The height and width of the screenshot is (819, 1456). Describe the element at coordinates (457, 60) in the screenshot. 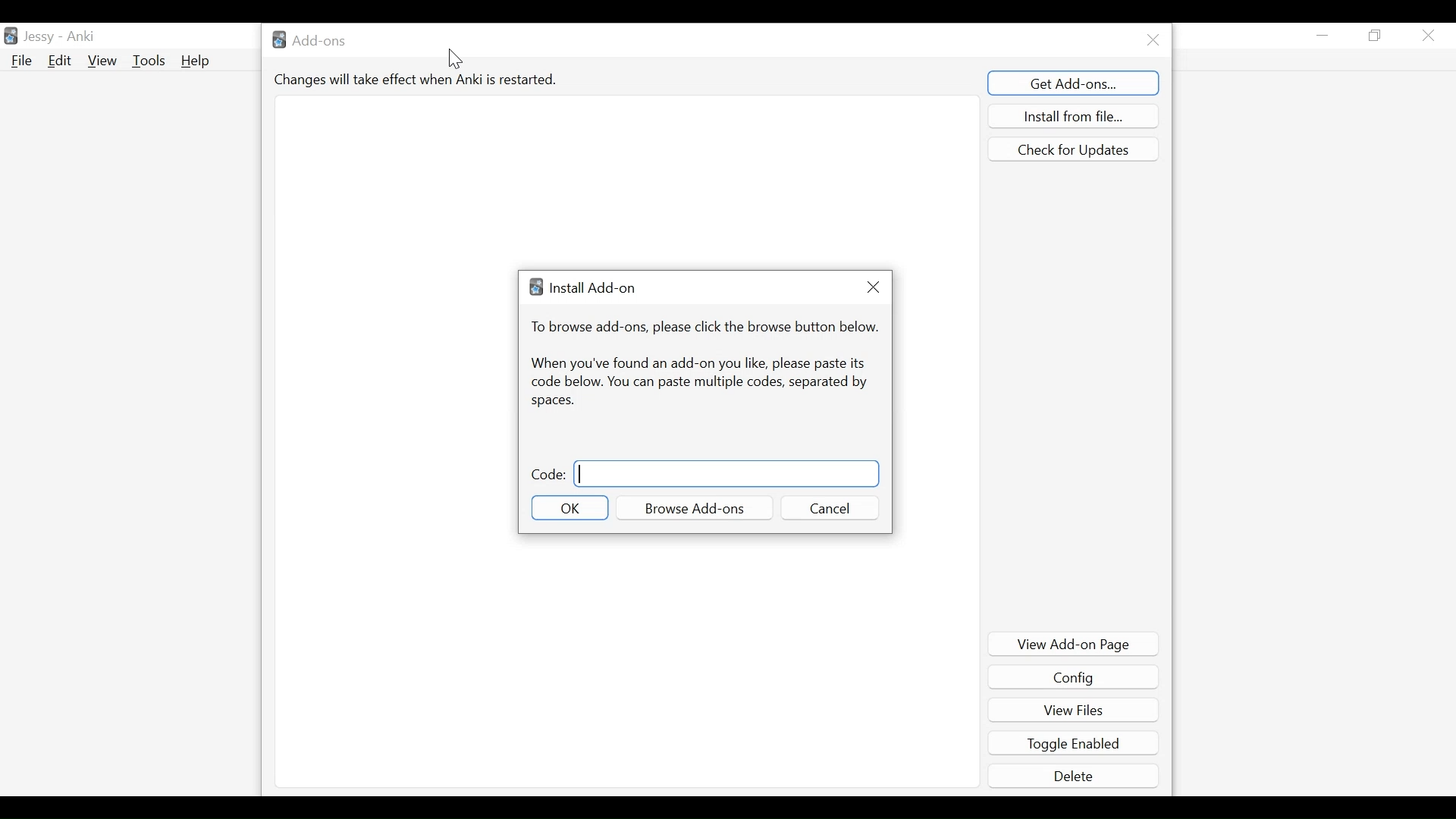

I see `cursor` at that location.